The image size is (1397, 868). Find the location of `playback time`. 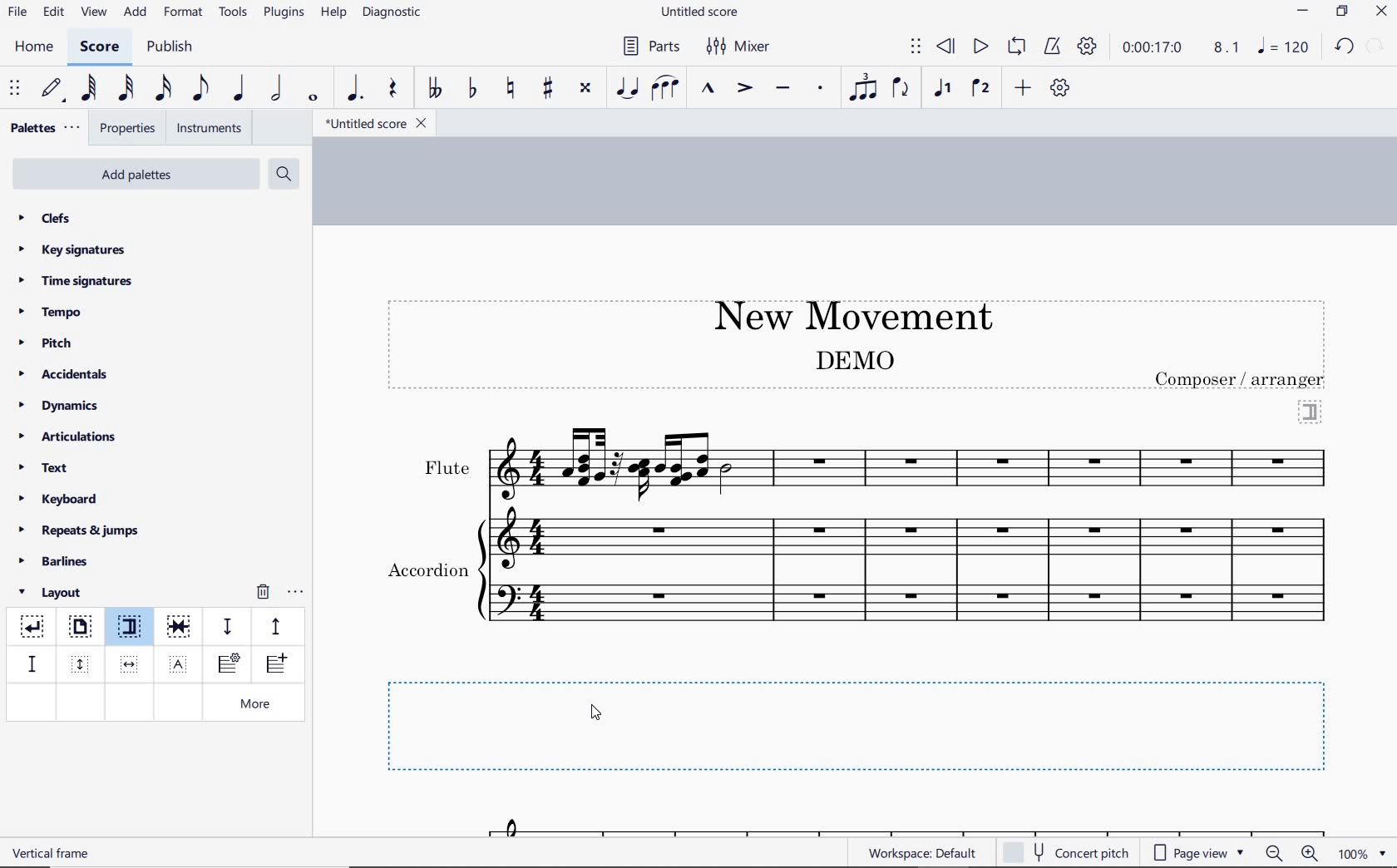

playback time is located at coordinates (1153, 47).